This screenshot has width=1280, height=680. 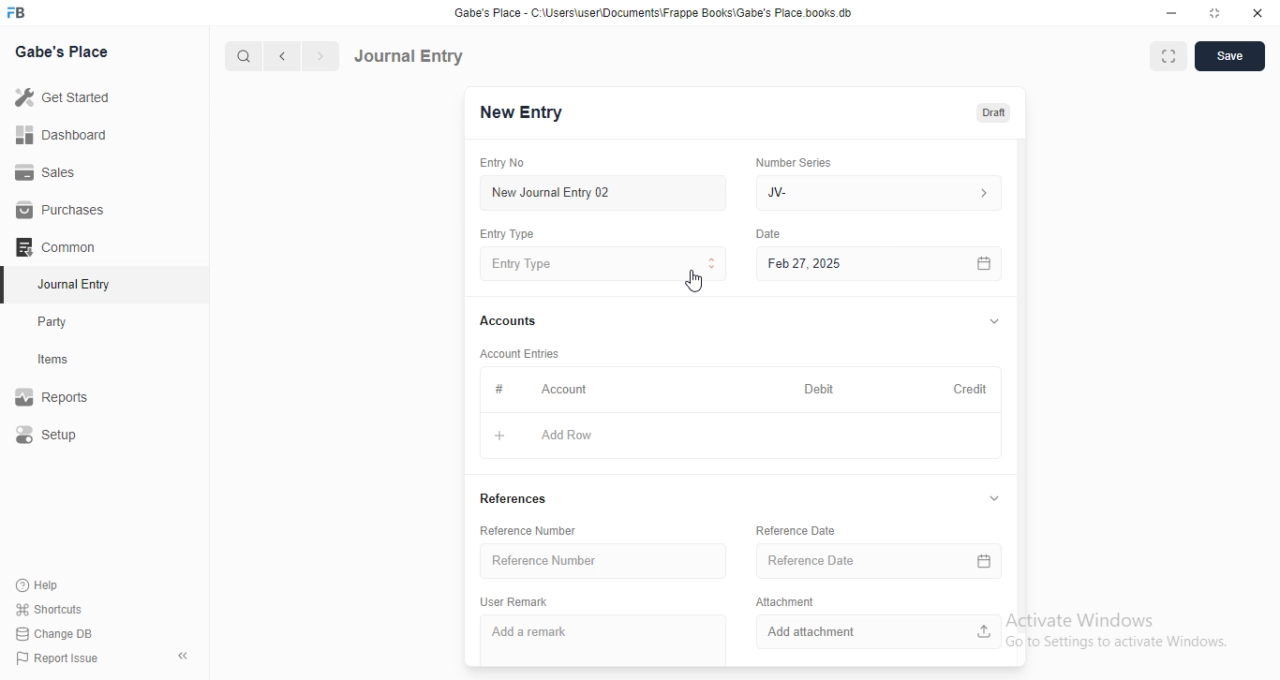 What do you see at coordinates (513, 321) in the screenshot?
I see `Accounts` at bounding box center [513, 321].